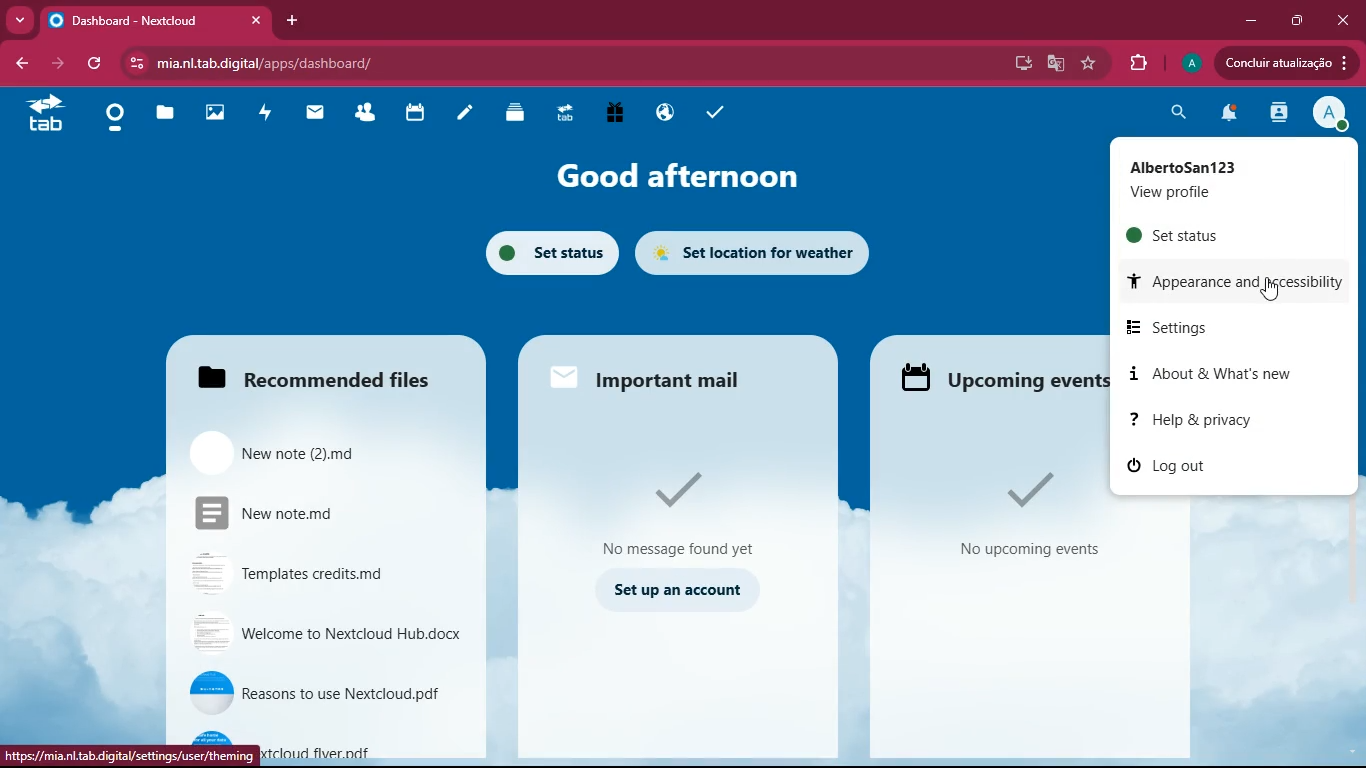  Describe the element at coordinates (111, 122) in the screenshot. I see `home` at that location.